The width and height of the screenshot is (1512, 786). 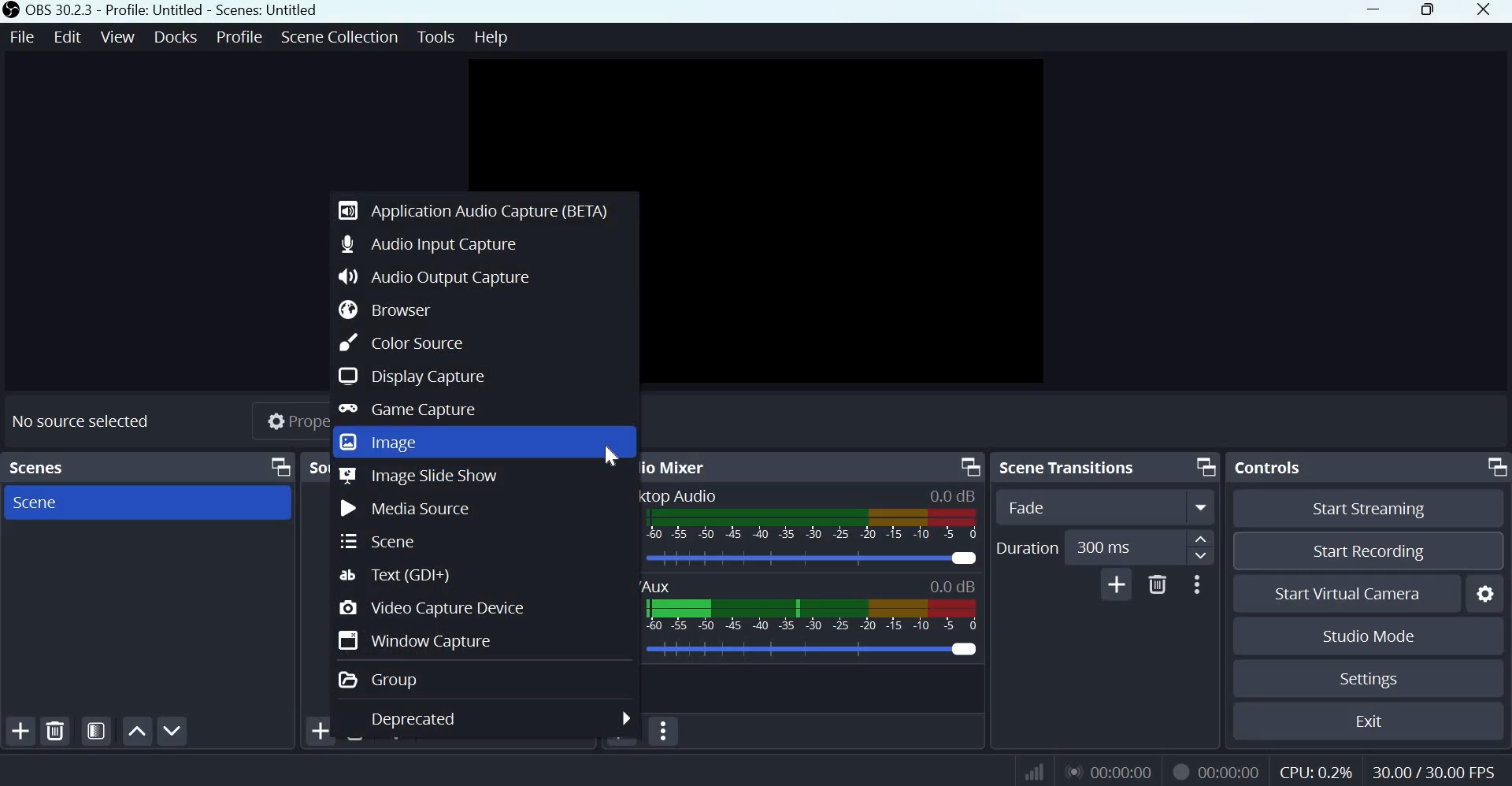 What do you see at coordinates (1268, 466) in the screenshot?
I see `Controls` at bounding box center [1268, 466].